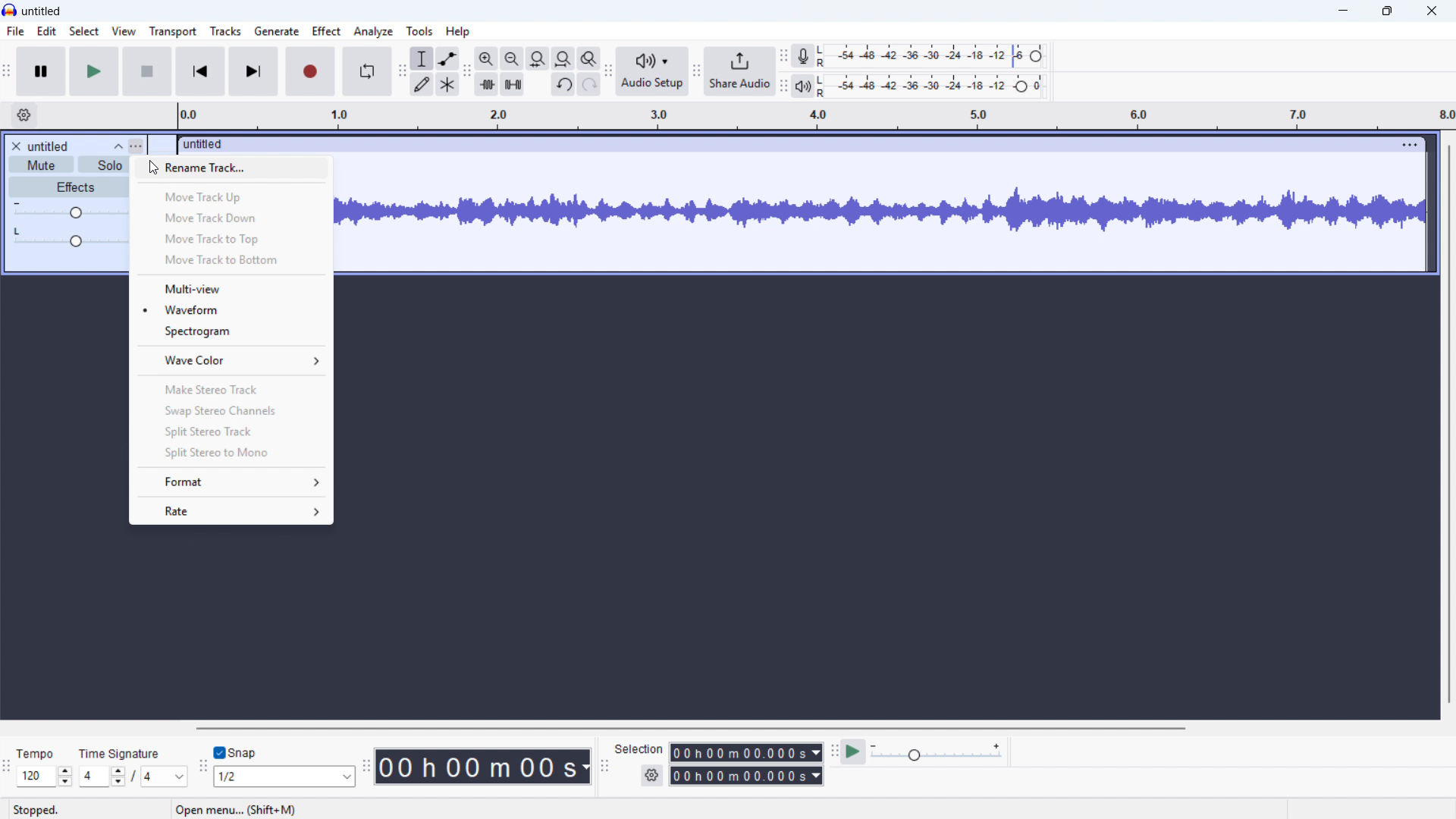  Describe the element at coordinates (8, 767) in the screenshot. I see `Time signature toolbar ` at that location.